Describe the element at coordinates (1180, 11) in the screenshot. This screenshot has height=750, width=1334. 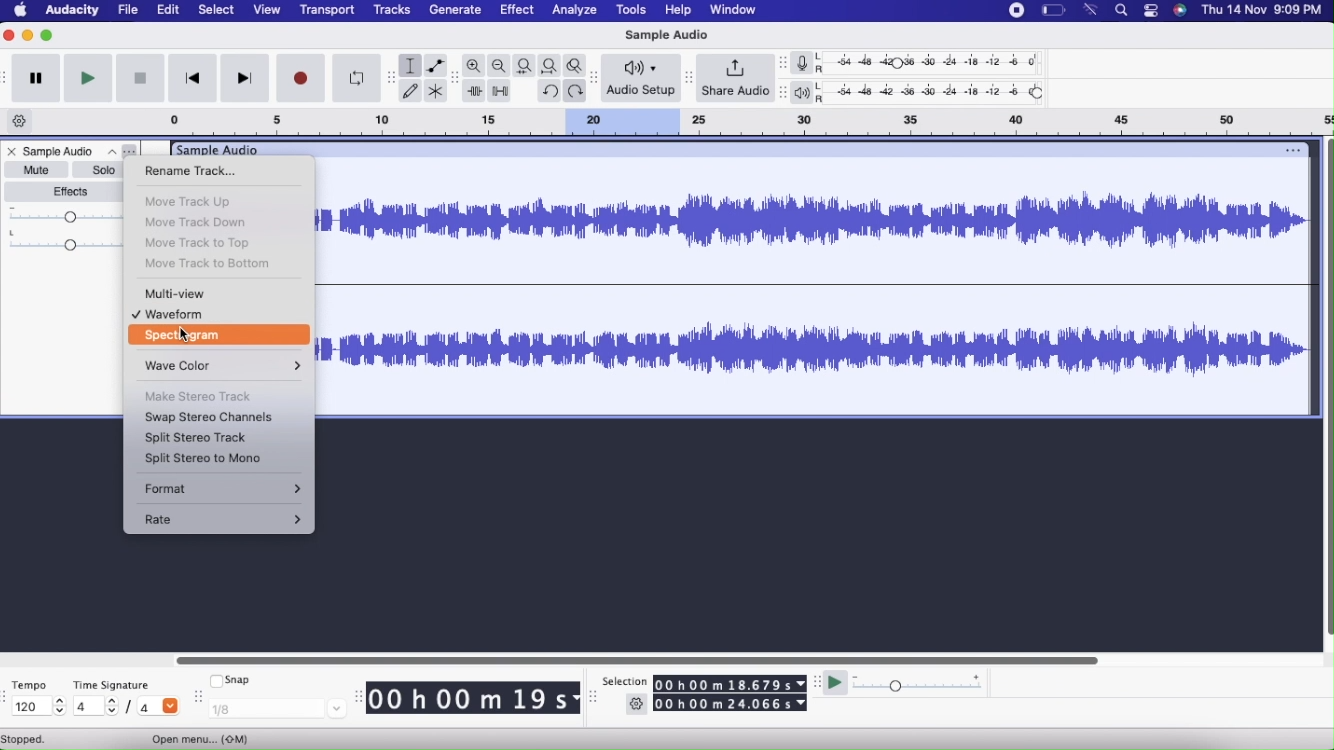
I see `app icon` at that location.